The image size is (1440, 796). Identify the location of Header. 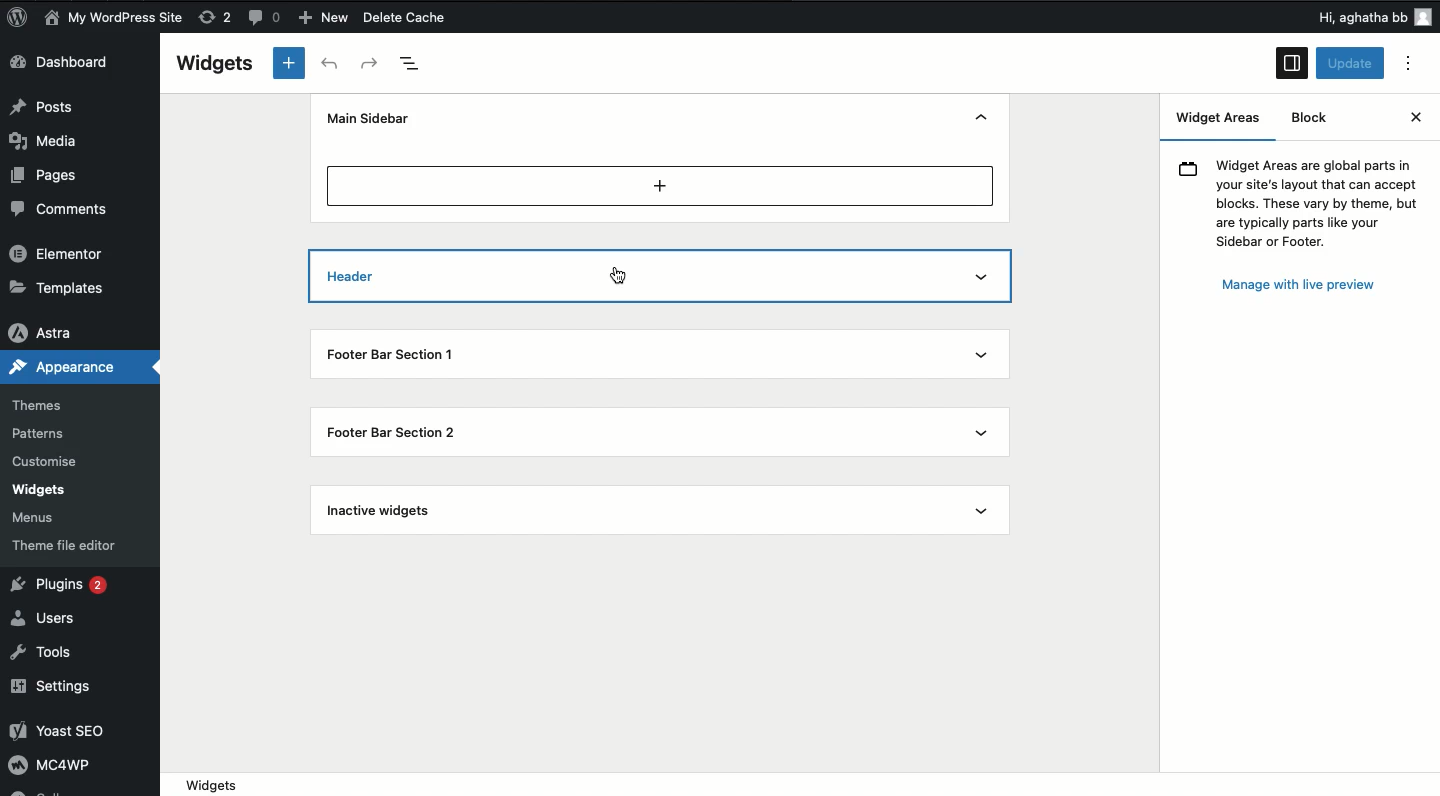
(352, 277).